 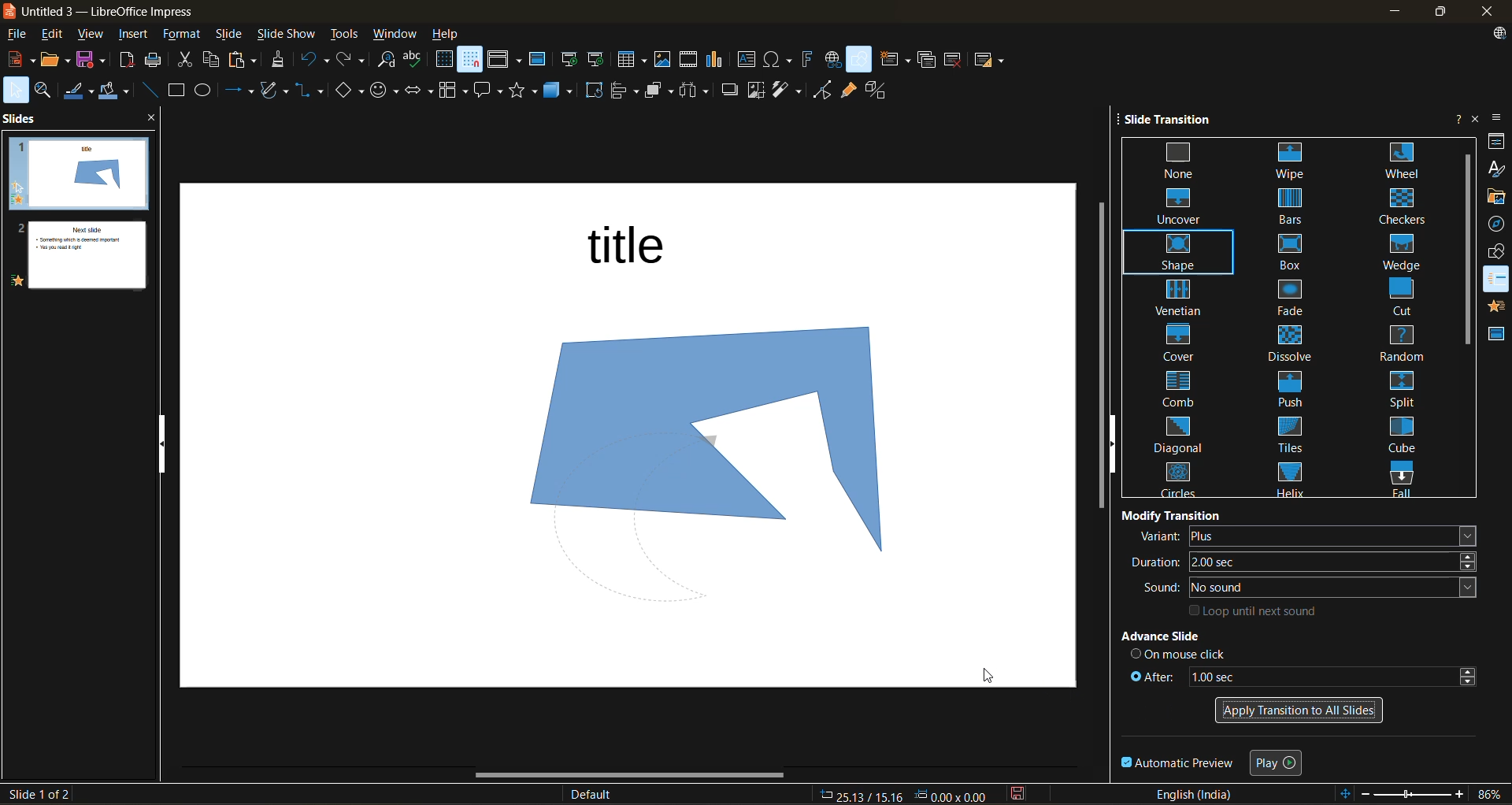 I want to click on master slide, so click(x=541, y=61).